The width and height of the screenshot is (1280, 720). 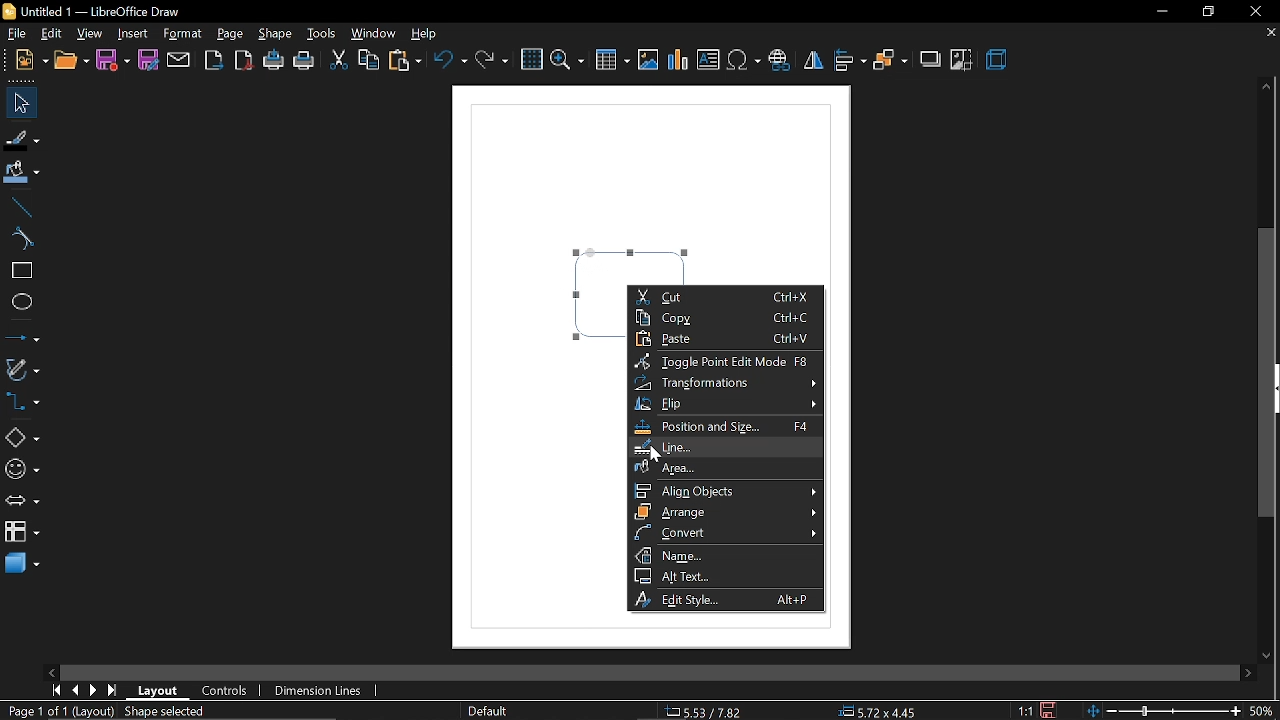 What do you see at coordinates (962, 60) in the screenshot?
I see `crop` at bounding box center [962, 60].